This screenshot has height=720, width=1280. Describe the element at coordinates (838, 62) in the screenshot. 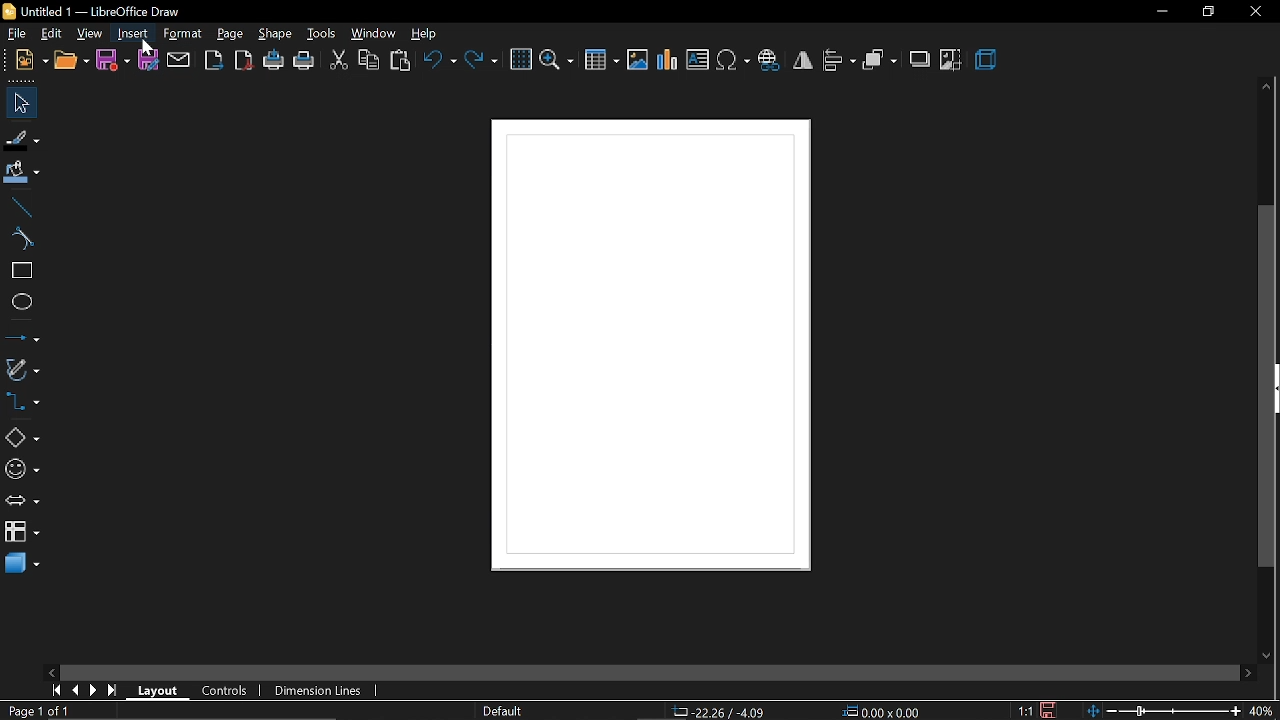

I see `align` at that location.